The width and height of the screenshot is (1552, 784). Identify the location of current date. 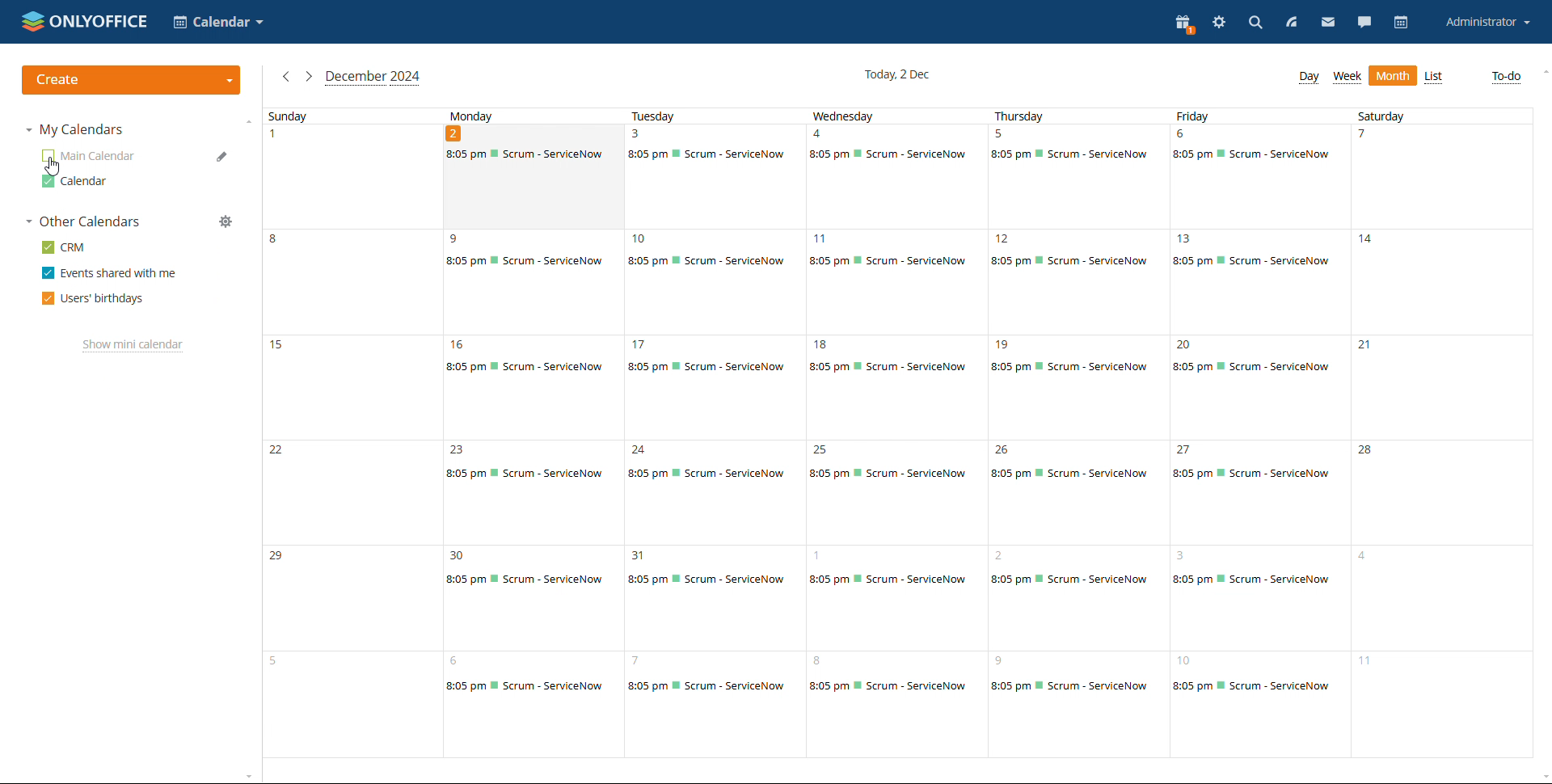
(896, 74).